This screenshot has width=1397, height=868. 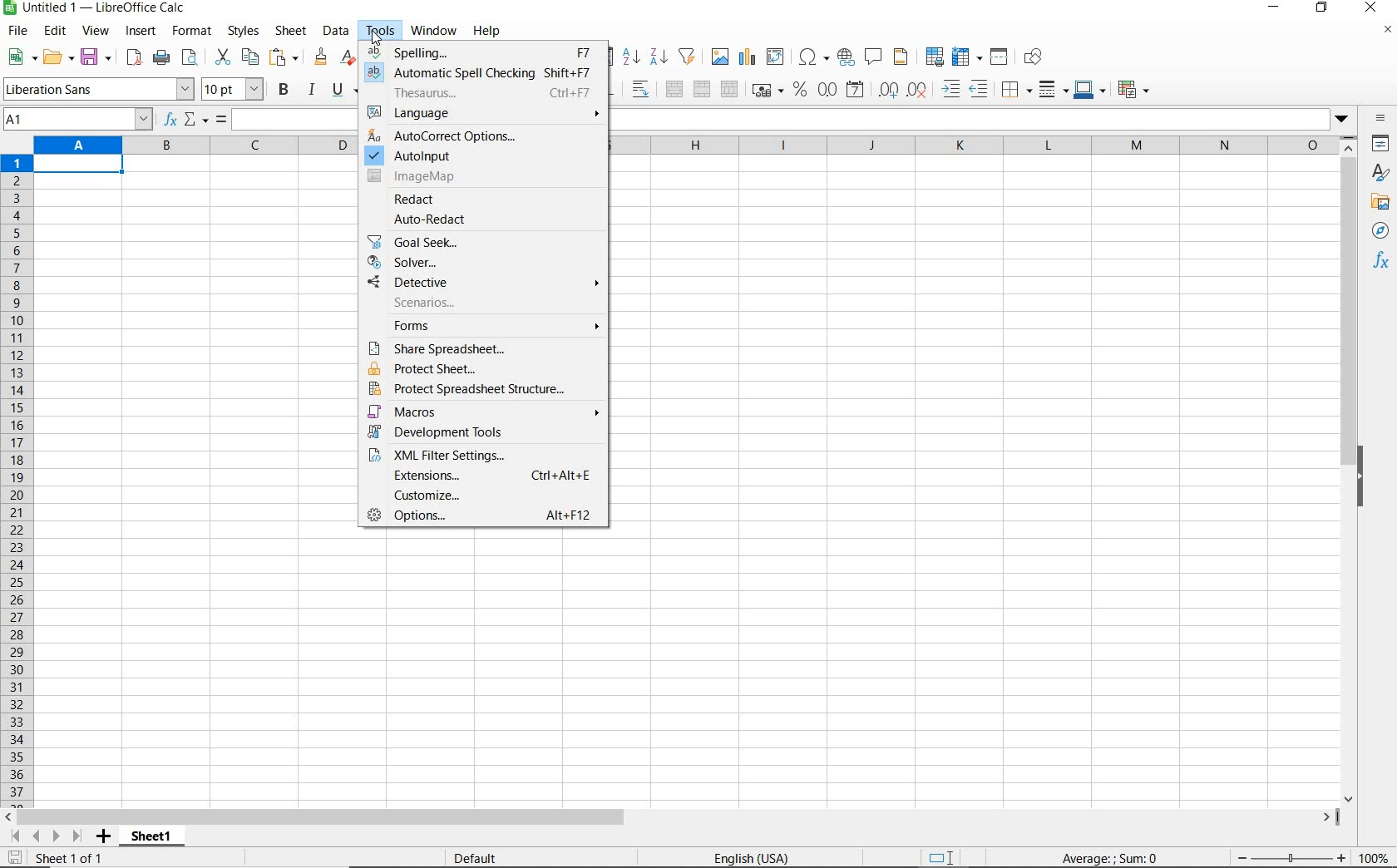 I want to click on development tools, so click(x=485, y=432).